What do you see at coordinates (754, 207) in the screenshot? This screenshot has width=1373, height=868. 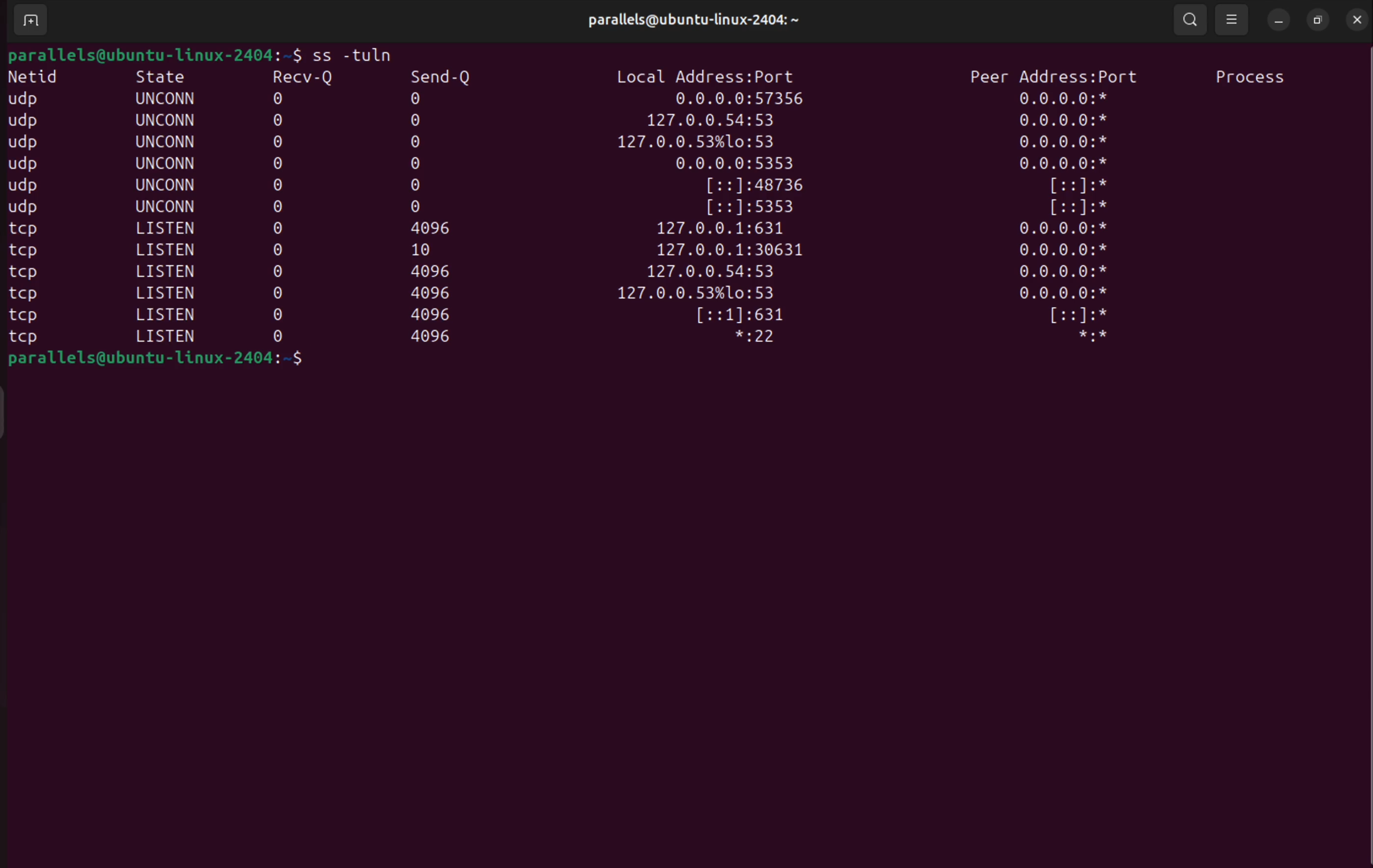 I see `53534` at bounding box center [754, 207].